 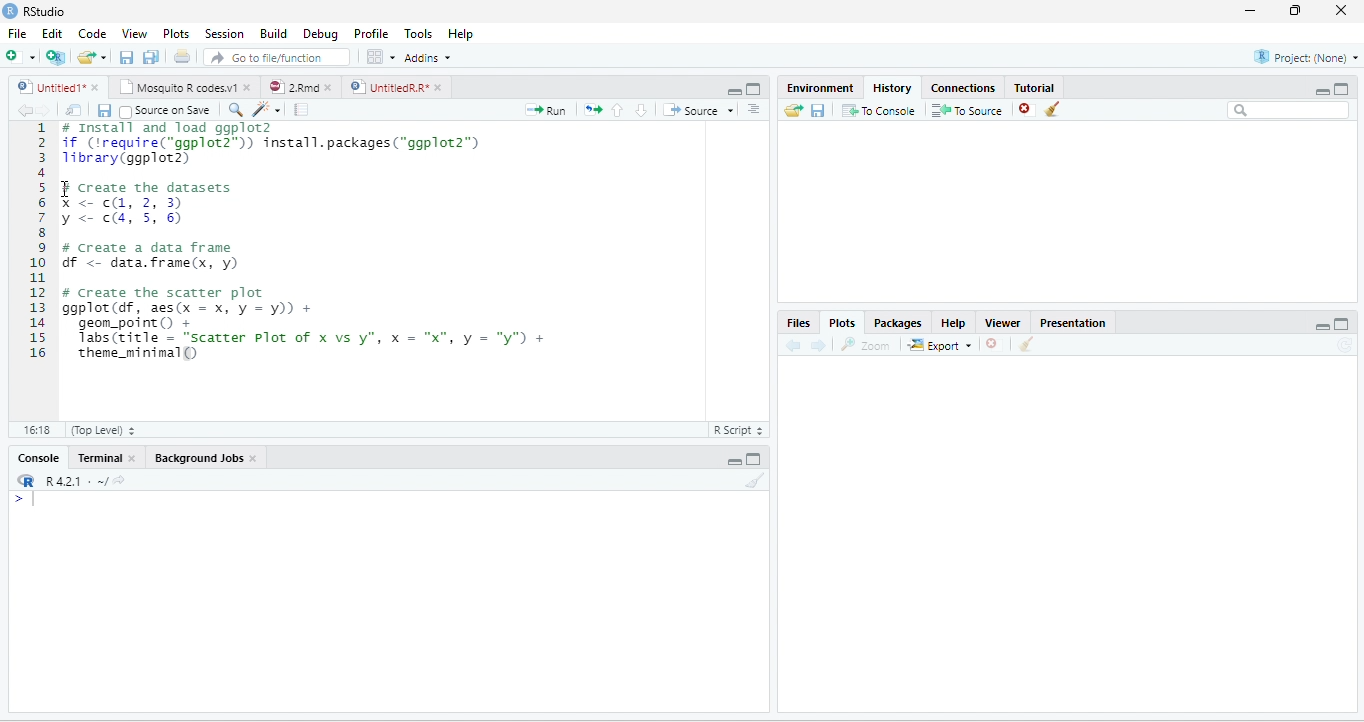 I want to click on Search bar, so click(x=1288, y=111).